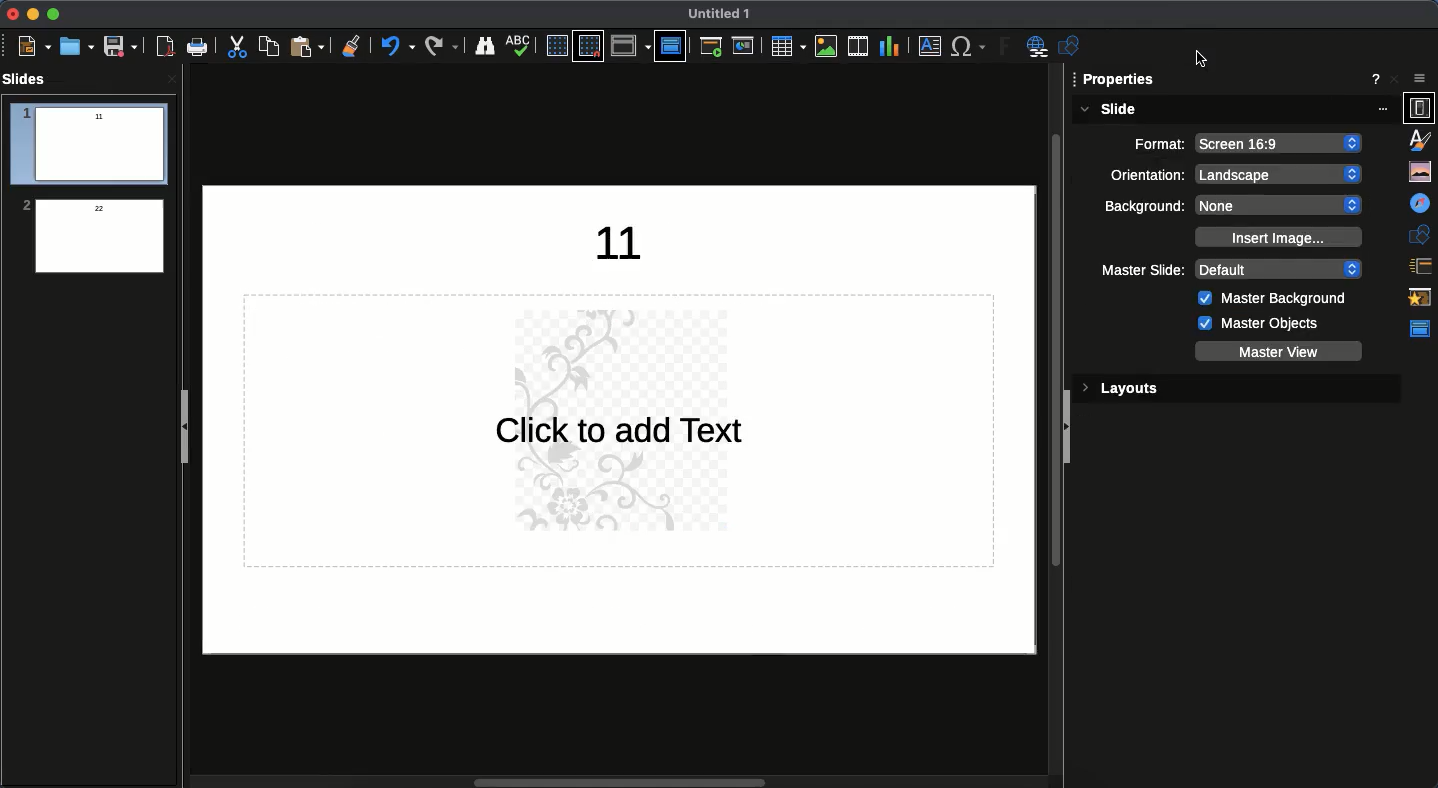  What do you see at coordinates (1419, 108) in the screenshot?
I see `Properties` at bounding box center [1419, 108].